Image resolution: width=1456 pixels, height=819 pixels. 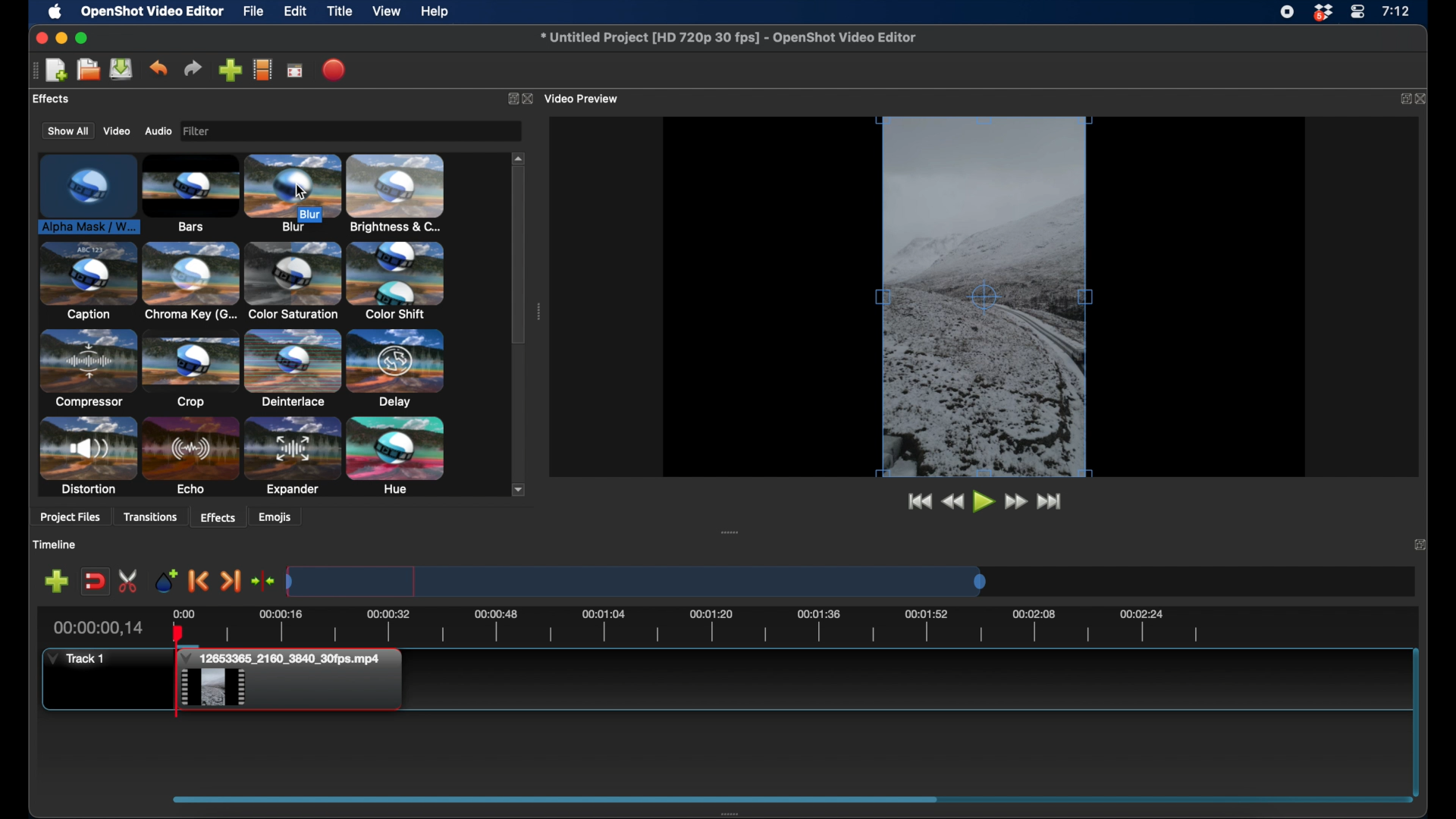 I want to click on choose profile, so click(x=263, y=69).